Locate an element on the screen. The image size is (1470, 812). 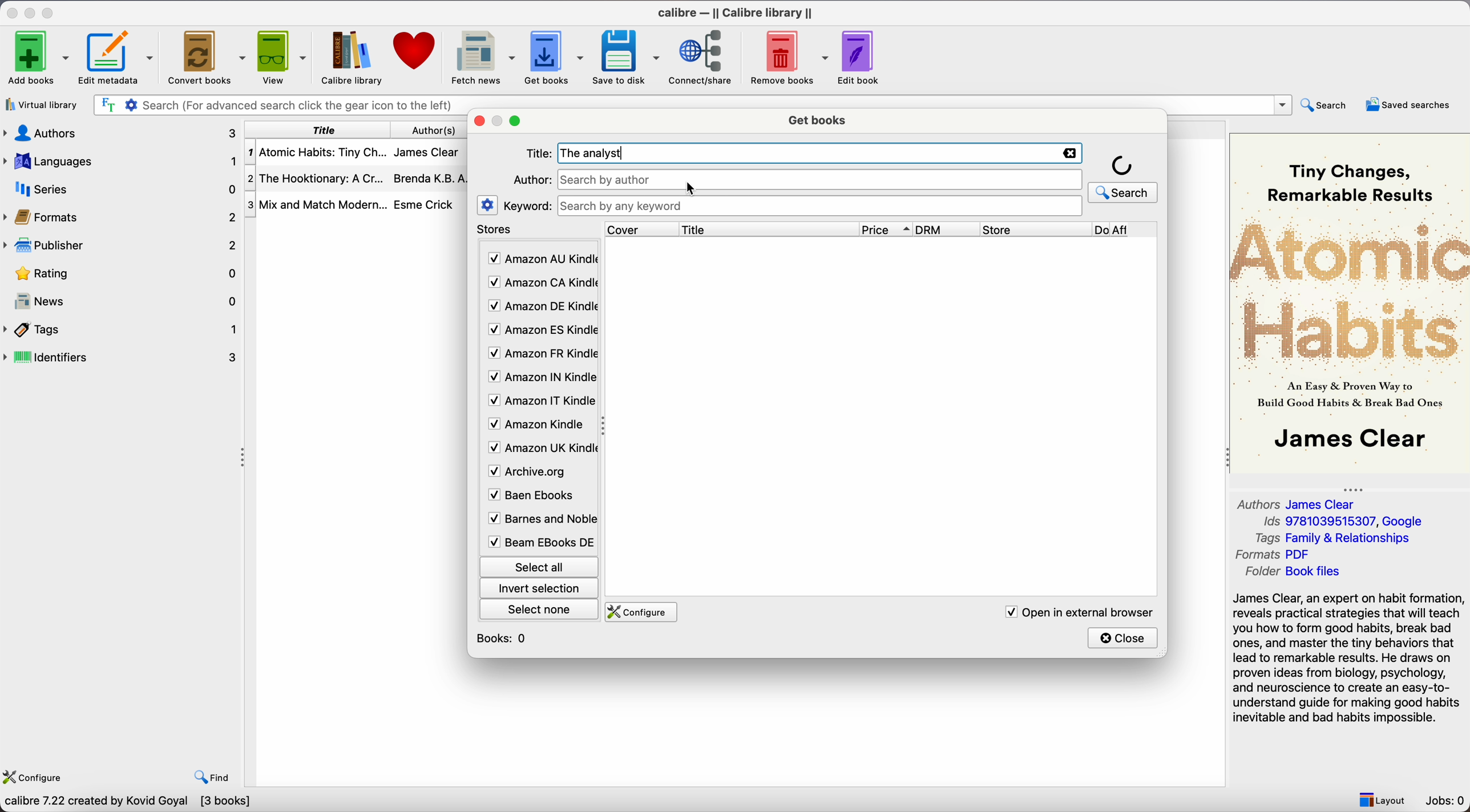
Amazon IT Kindle is located at coordinates (540, 403).